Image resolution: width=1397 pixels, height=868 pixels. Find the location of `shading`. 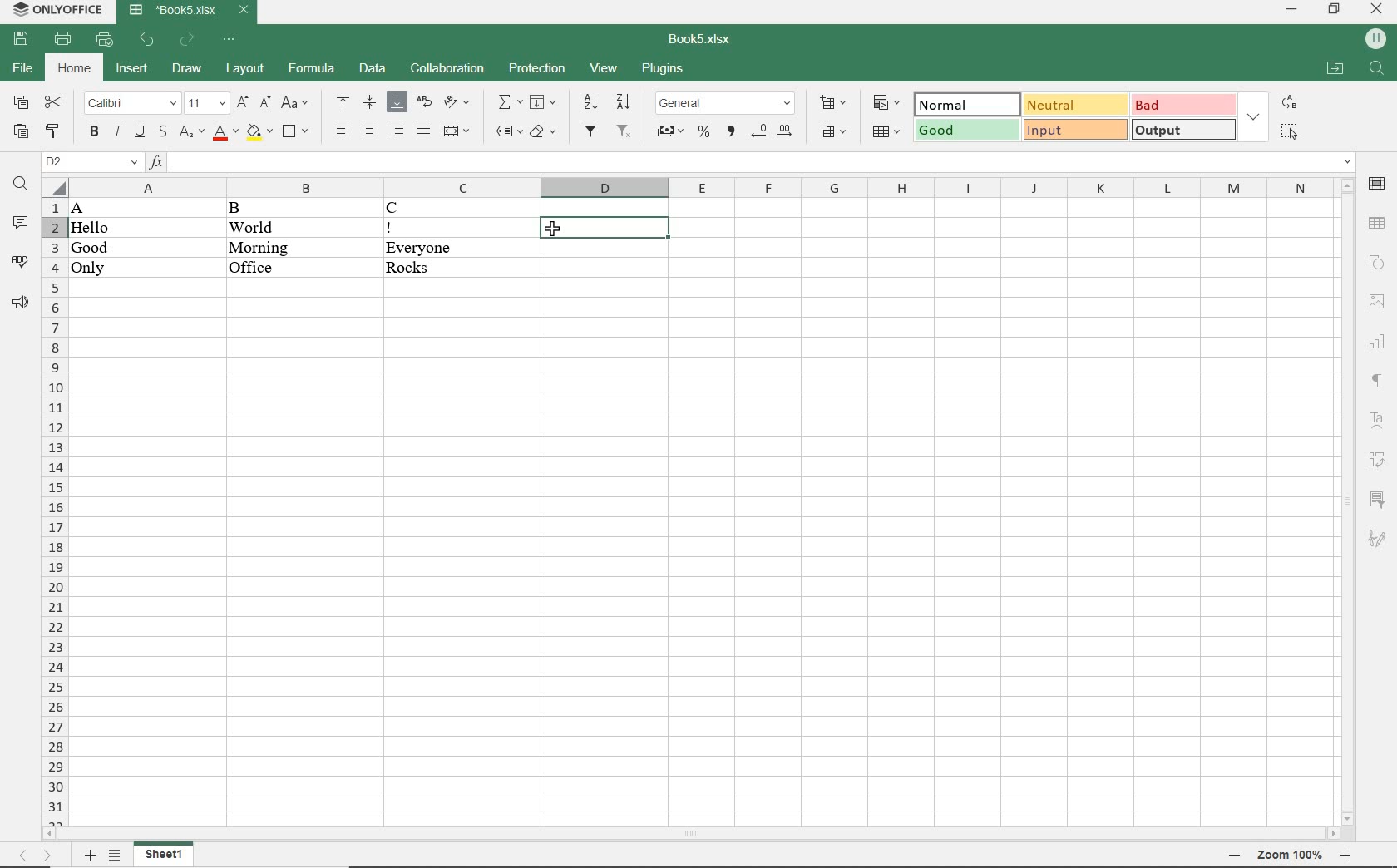

shading is located at coordinates (542, 134).